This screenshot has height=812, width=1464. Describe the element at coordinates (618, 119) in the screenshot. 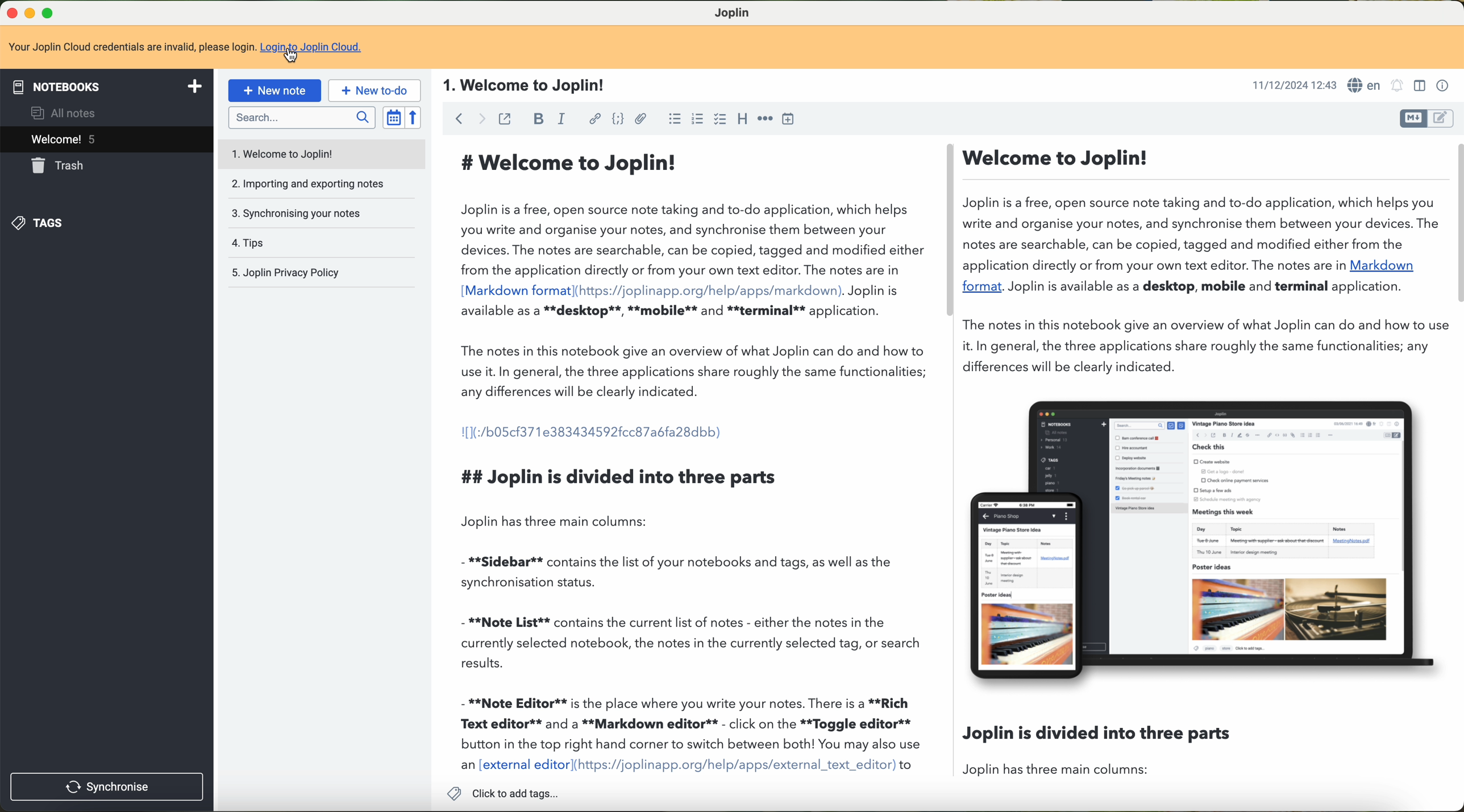

I see `code` at that location.